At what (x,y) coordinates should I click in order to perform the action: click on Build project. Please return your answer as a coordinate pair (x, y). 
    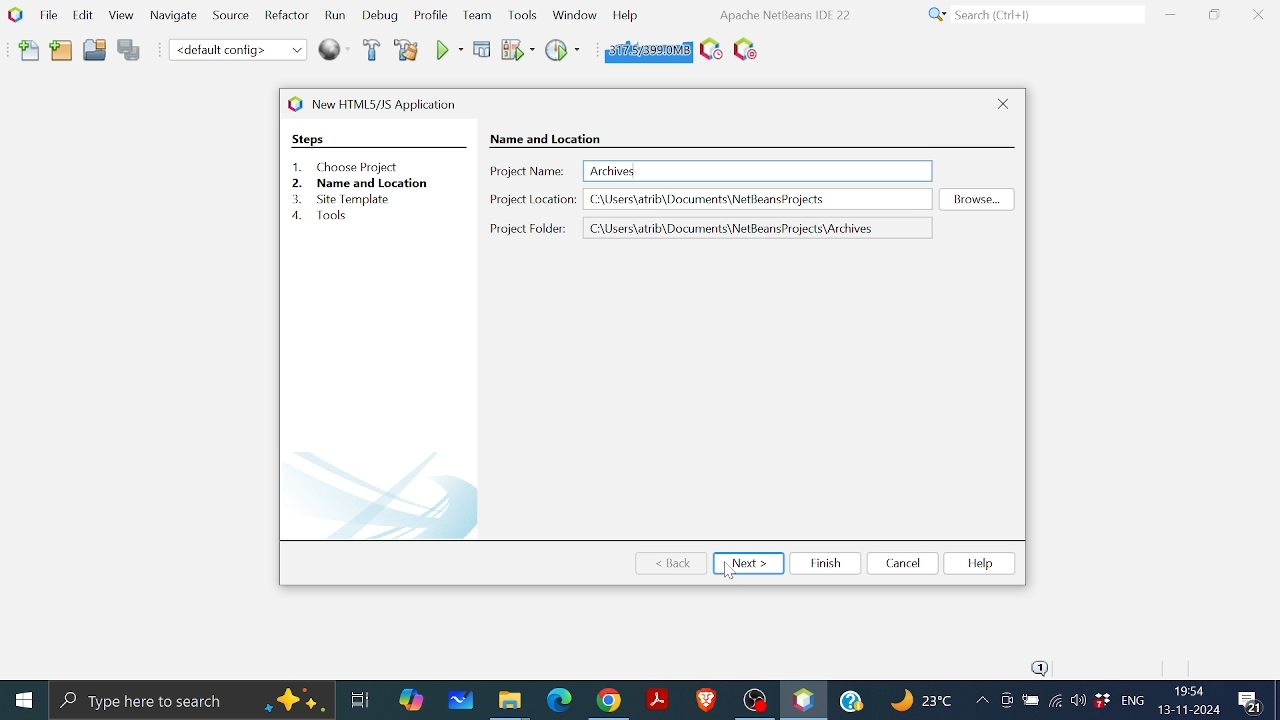
    Looking at the image, I should click on (373, 51).